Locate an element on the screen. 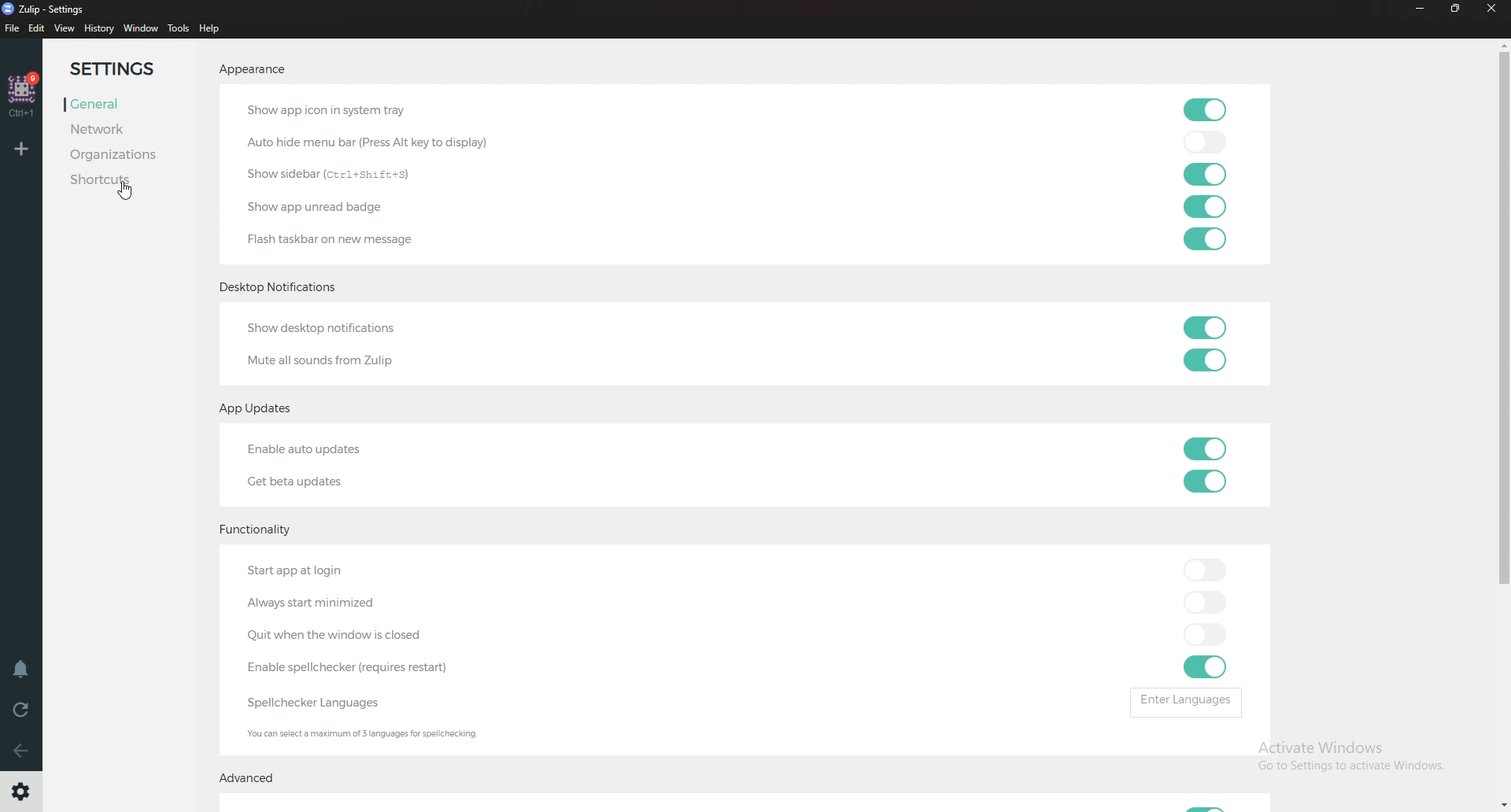 Image resolution: width=1511 pixels, height=812 pixels. toggle is located at coordinates (1202, 174).